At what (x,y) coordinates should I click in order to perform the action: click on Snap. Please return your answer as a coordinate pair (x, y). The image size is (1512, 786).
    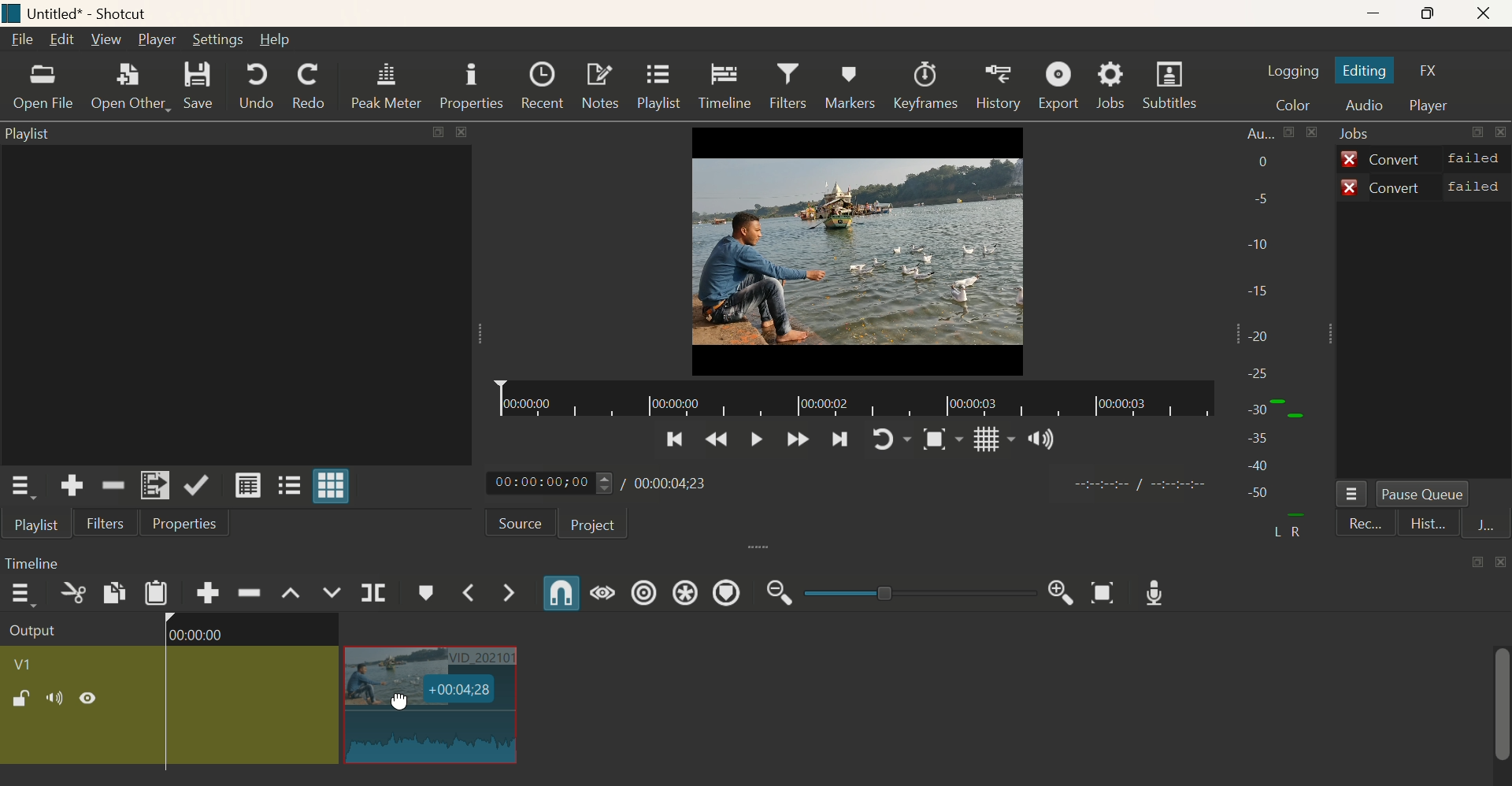
    Looking at the image, I should click on (939, 442).